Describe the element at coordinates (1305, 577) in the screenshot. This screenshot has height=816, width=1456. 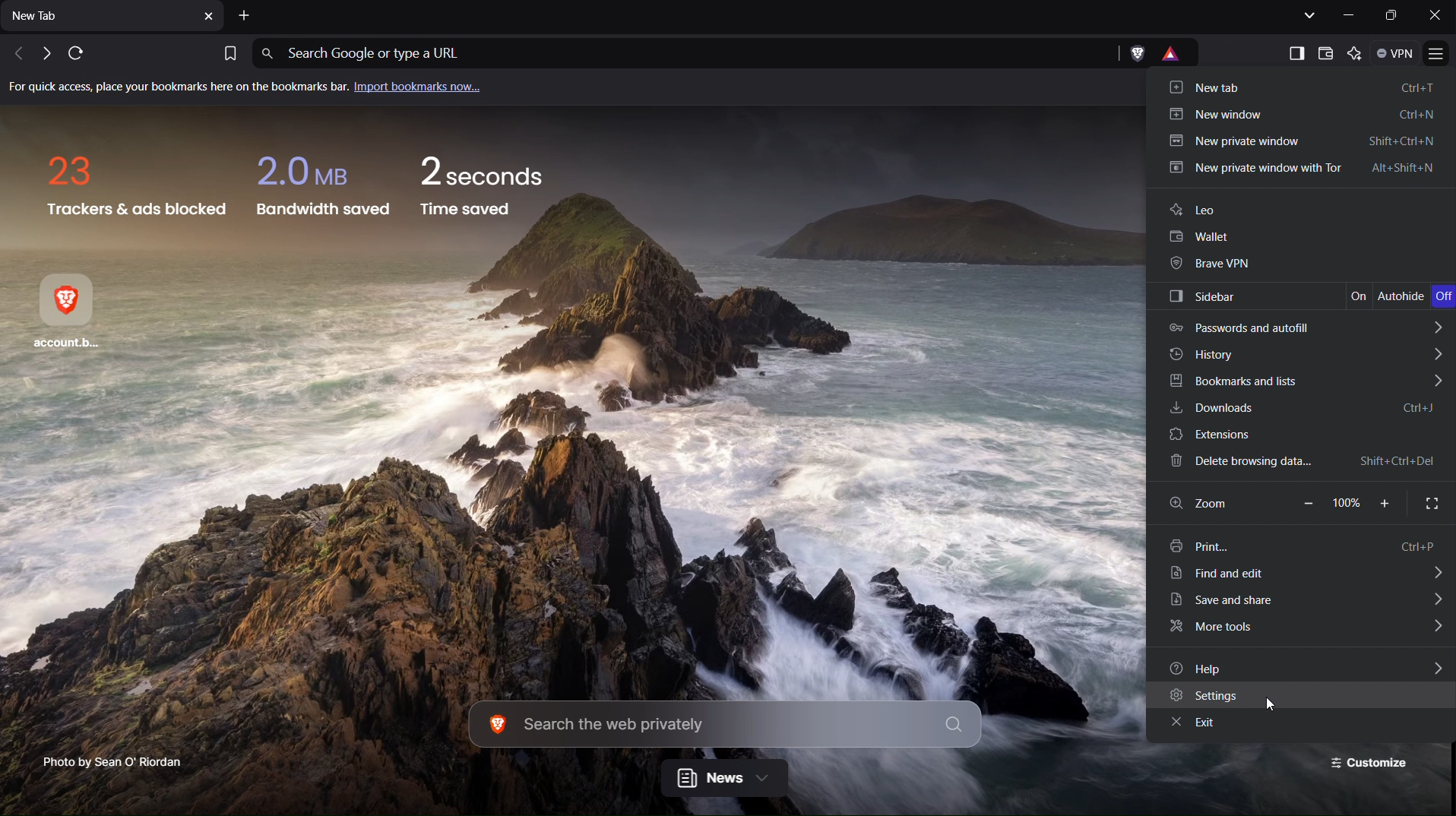
I see `Find and Edit` at that location.